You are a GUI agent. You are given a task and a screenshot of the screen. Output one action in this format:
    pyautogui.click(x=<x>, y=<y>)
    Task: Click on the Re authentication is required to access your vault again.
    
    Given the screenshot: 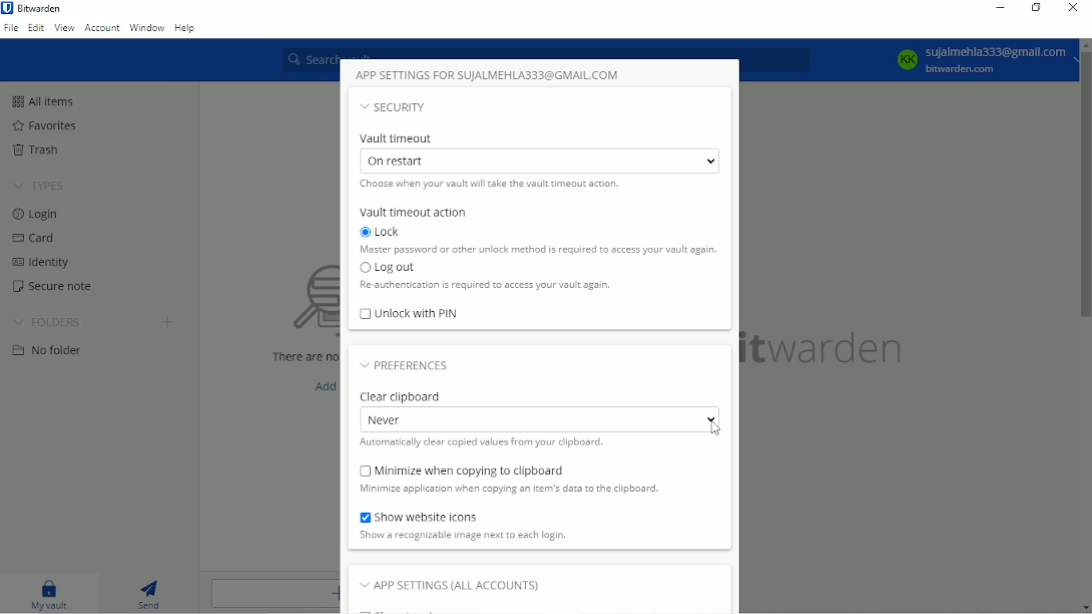 What is the action you would take?
    pyautogui.click(x=485, y=287)
    